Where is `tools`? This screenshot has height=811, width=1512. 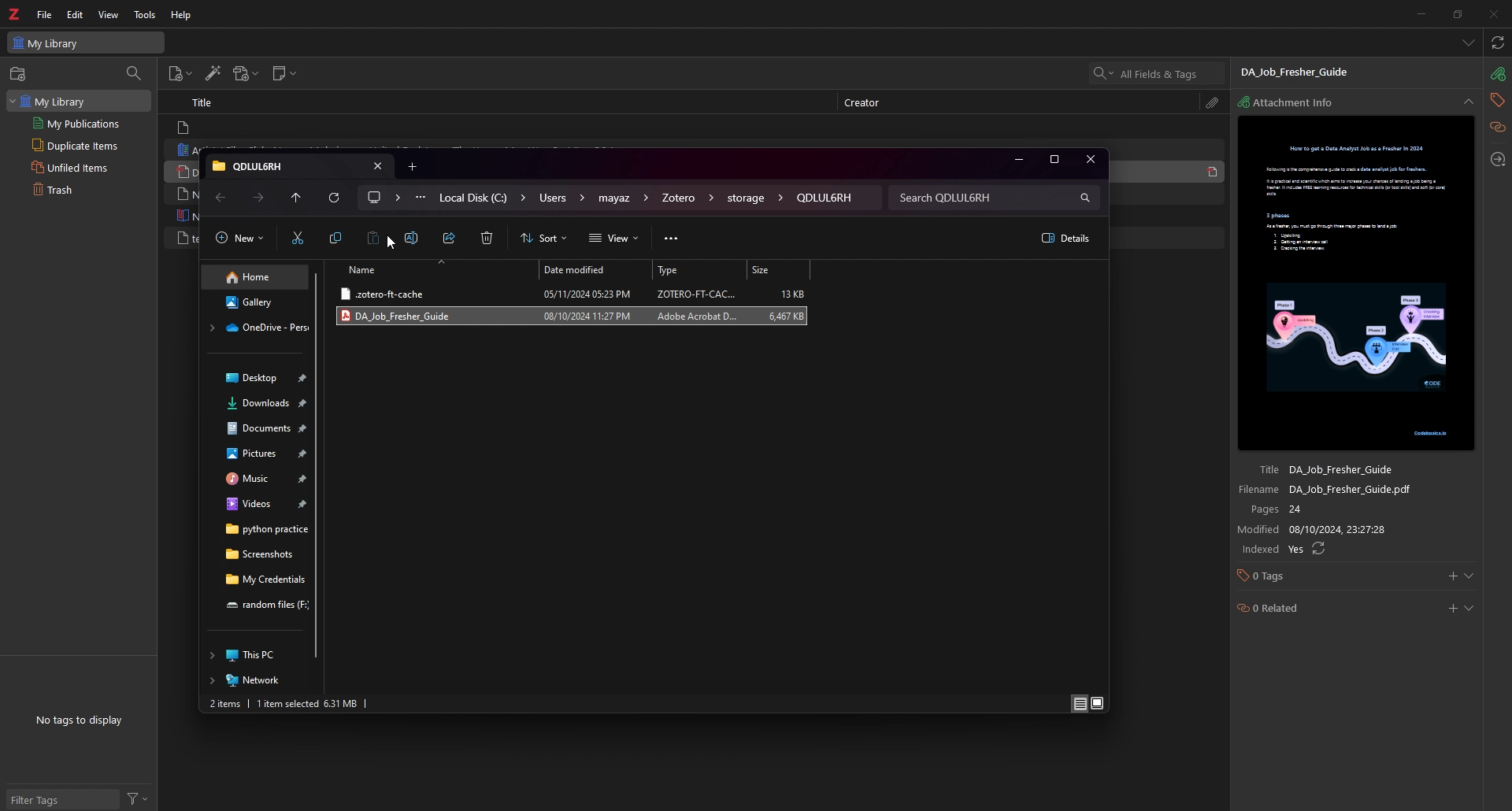 tools is located at coordinates (146, 15).